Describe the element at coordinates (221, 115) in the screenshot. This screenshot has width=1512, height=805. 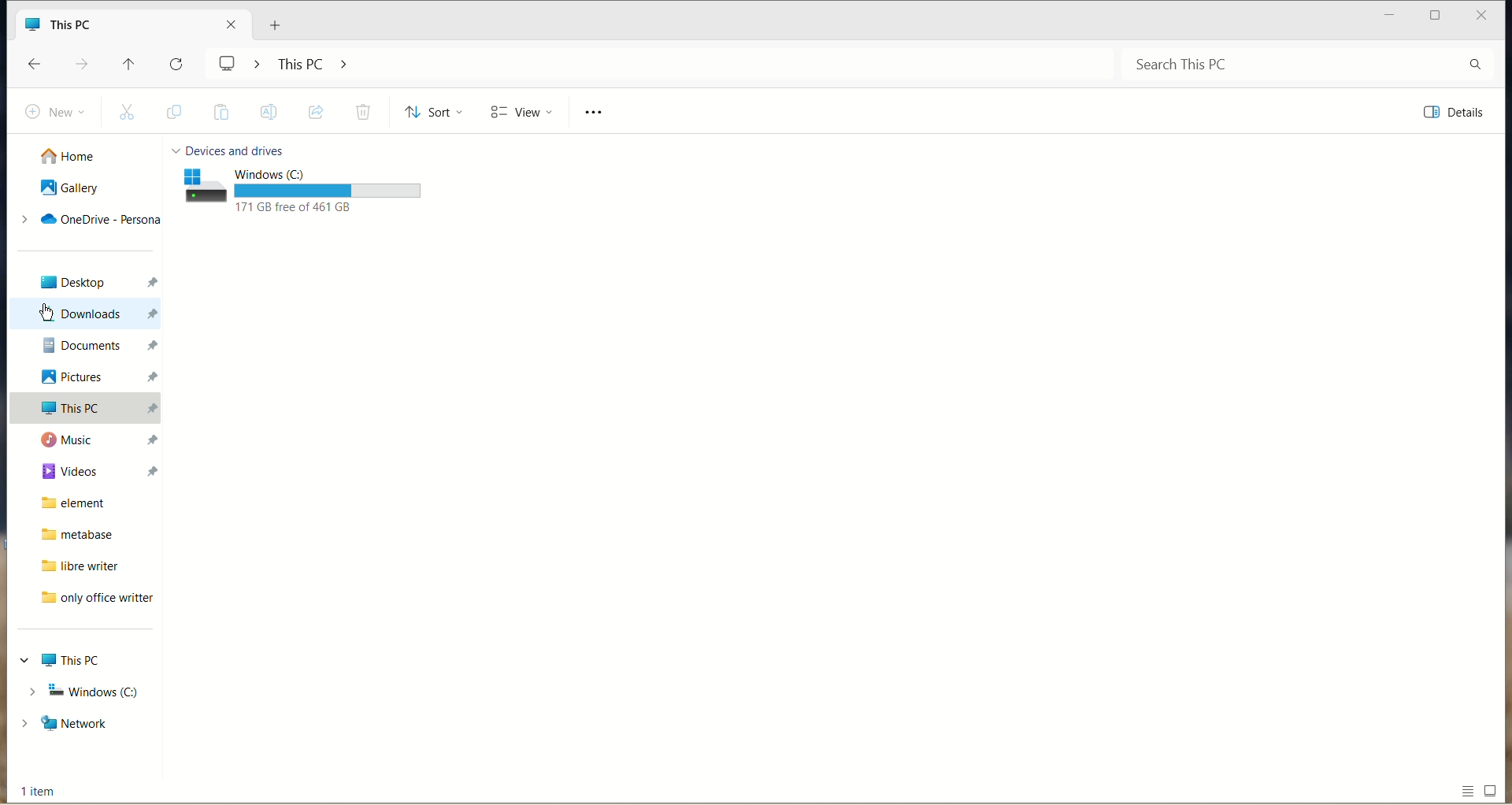
I see `paste` at that location.